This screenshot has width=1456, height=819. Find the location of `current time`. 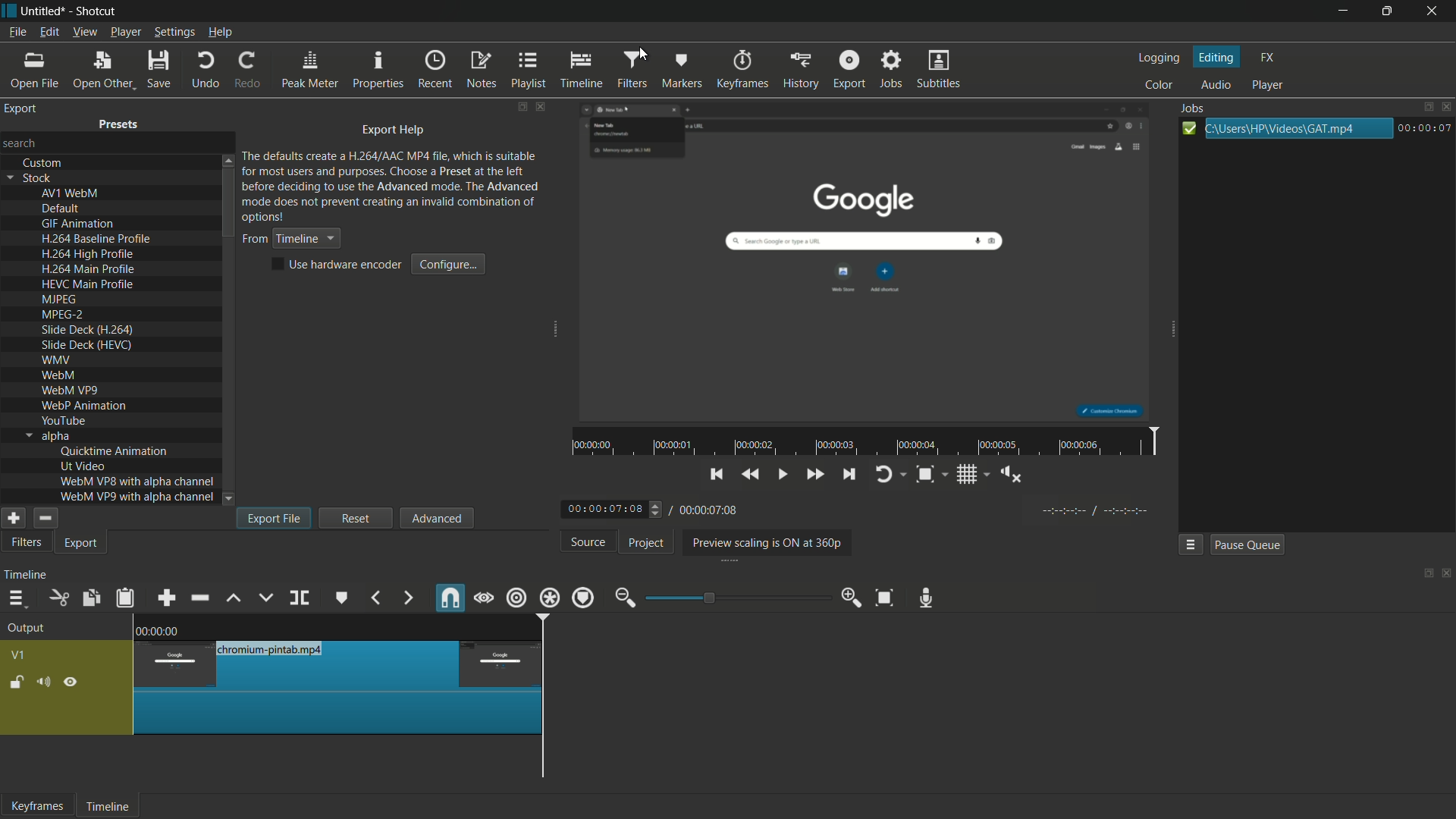

current time is located at coordinates (607, 510).